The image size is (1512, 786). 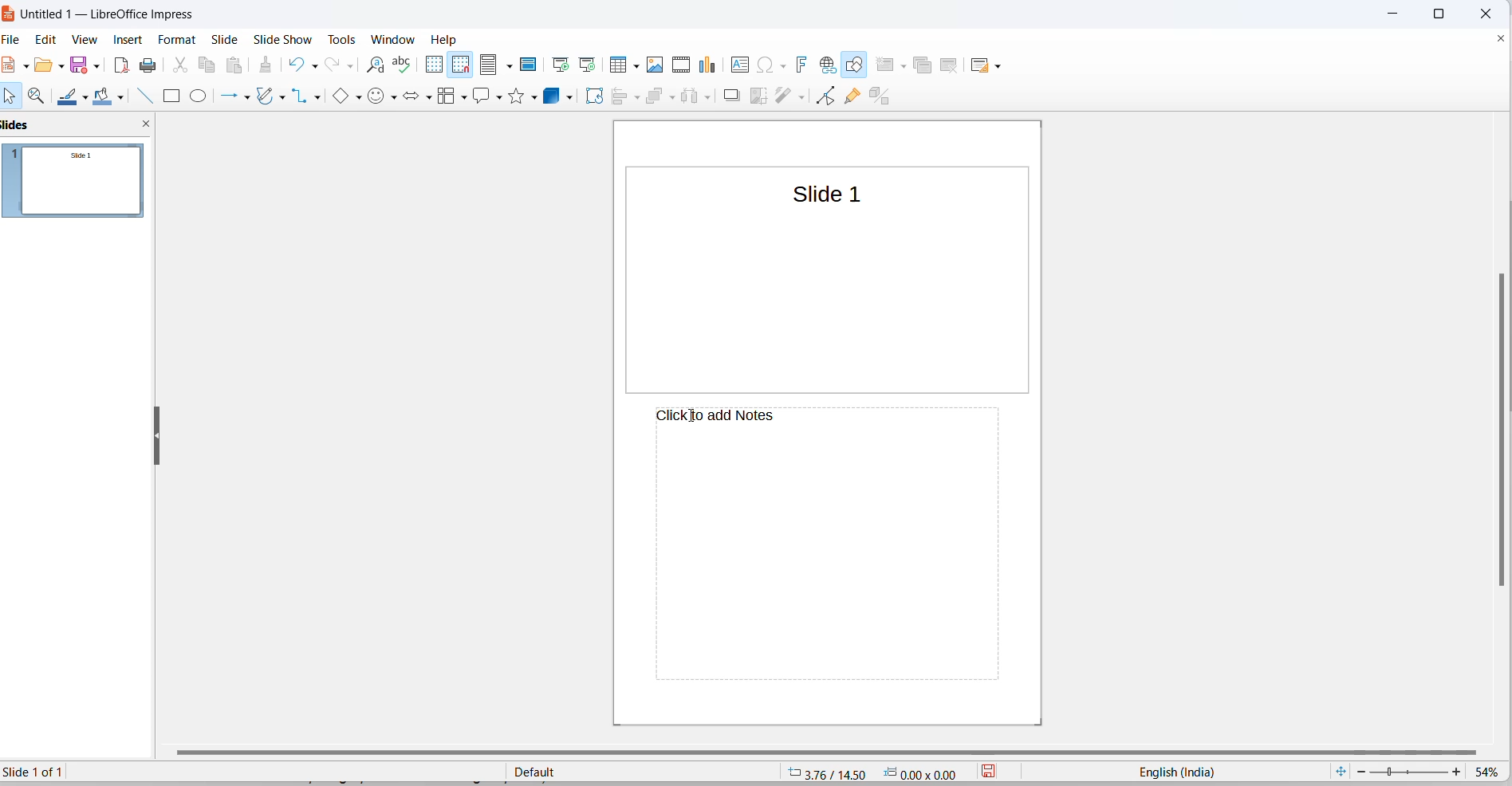 What do you see at coordinates (175, 96) in the screenshot?
I see `rectangle` at bounding box center [175, 96].